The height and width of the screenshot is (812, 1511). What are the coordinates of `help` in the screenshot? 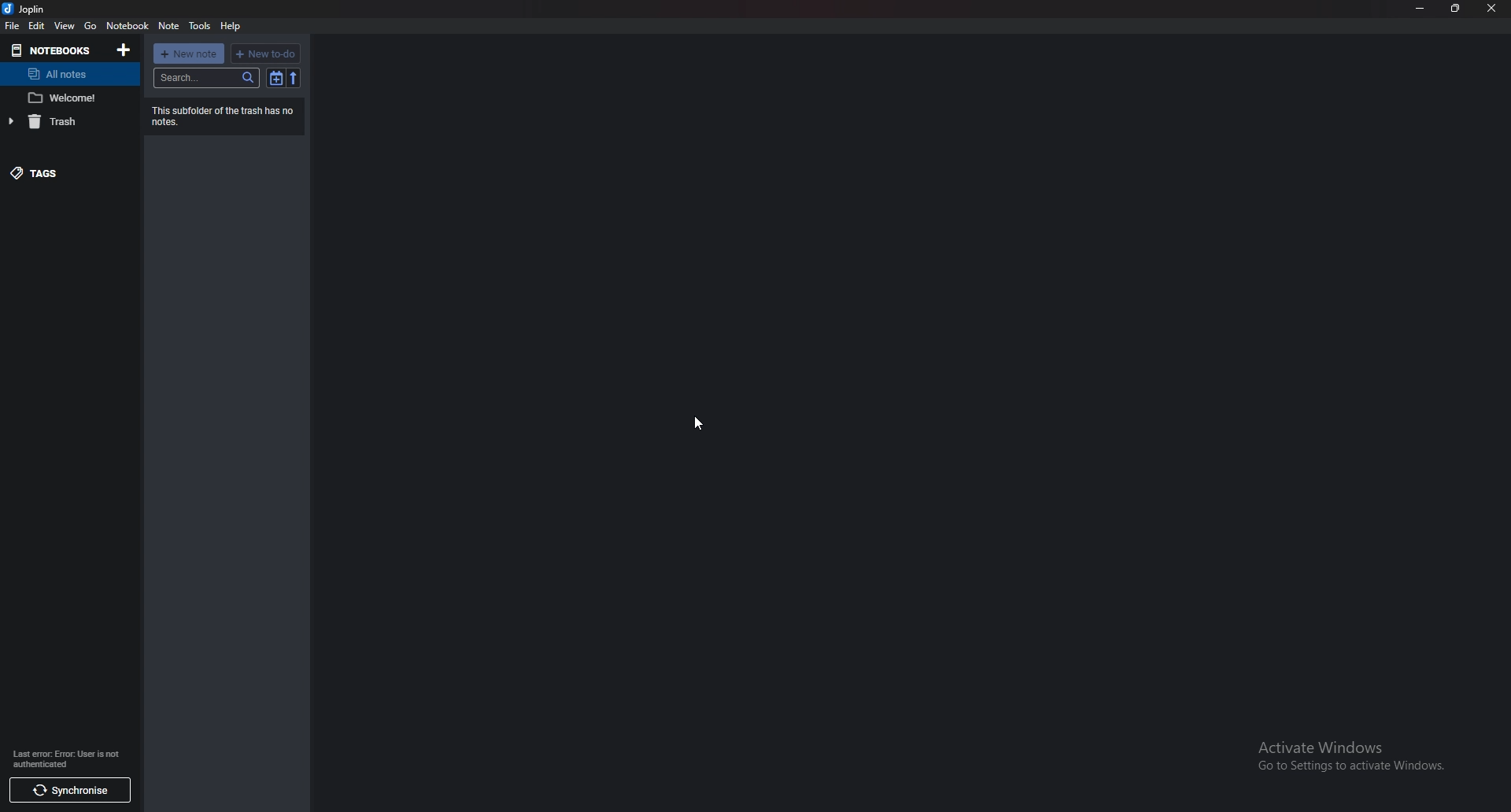 It's located at (232, 27).